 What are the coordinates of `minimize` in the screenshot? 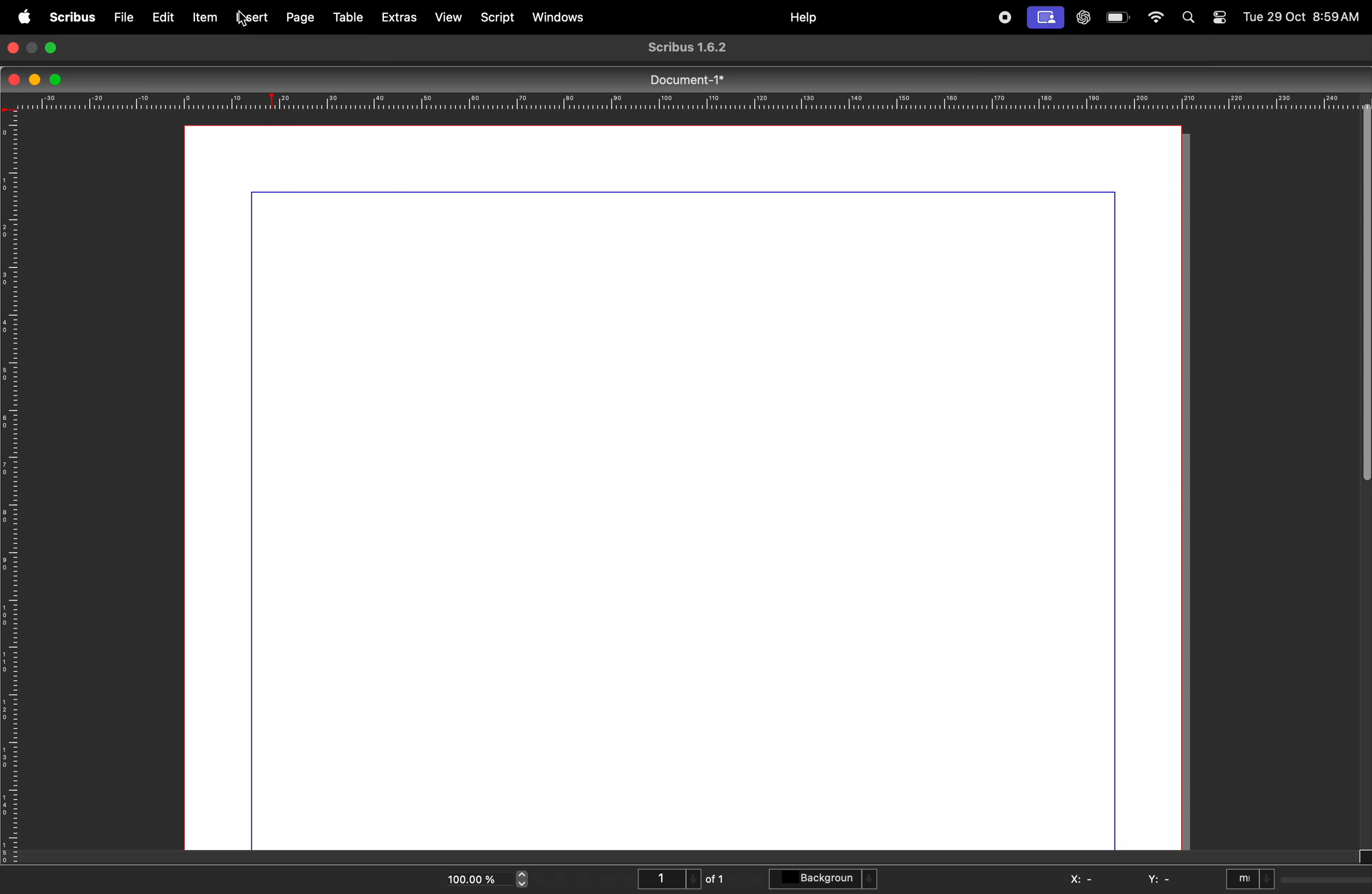 It's located at (33, 78).